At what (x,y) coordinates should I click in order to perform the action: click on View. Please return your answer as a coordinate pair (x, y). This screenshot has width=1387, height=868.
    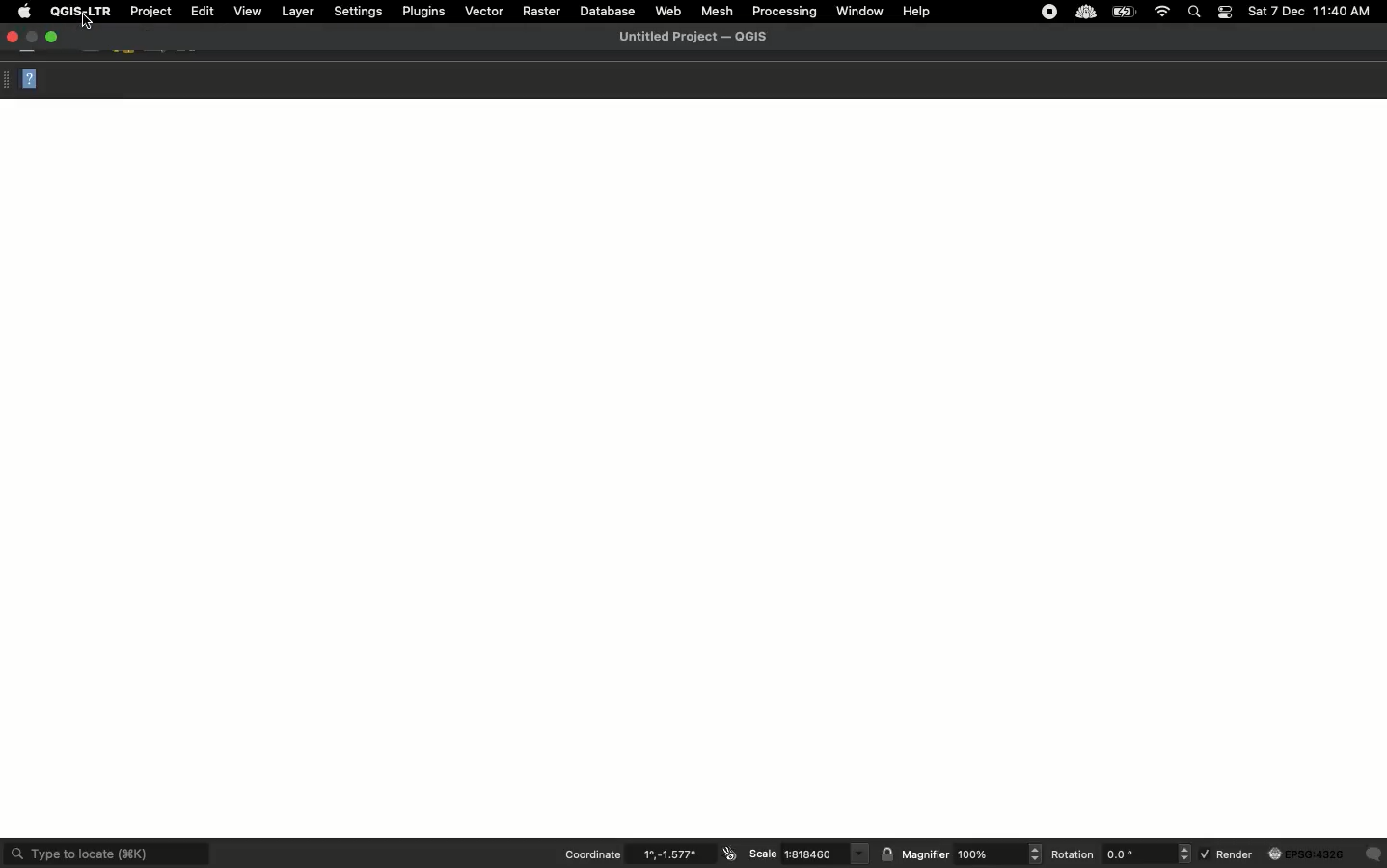
    Looking at the image, I should click on (248, 10).